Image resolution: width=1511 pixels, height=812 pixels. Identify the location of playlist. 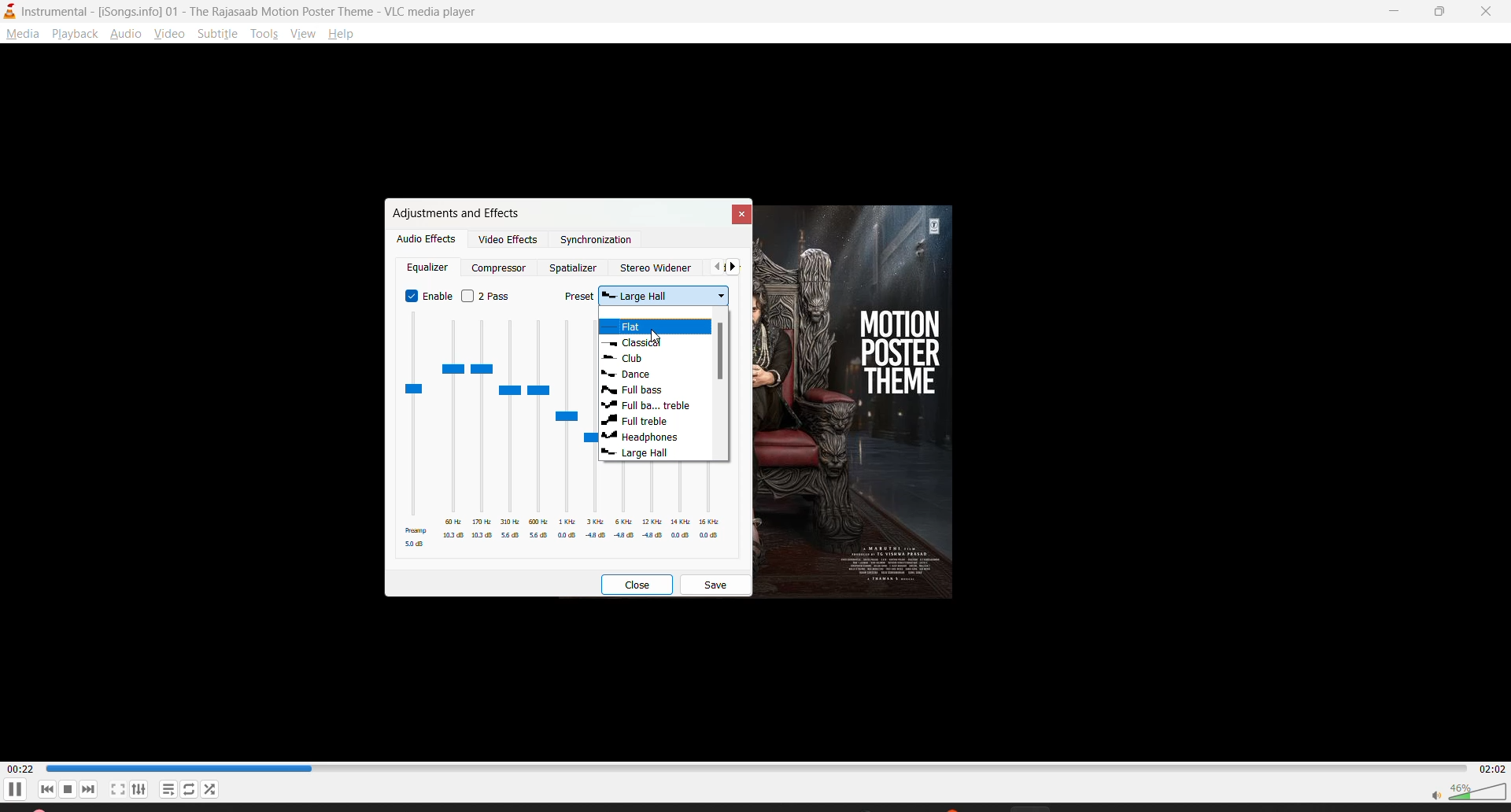
(168, 788).